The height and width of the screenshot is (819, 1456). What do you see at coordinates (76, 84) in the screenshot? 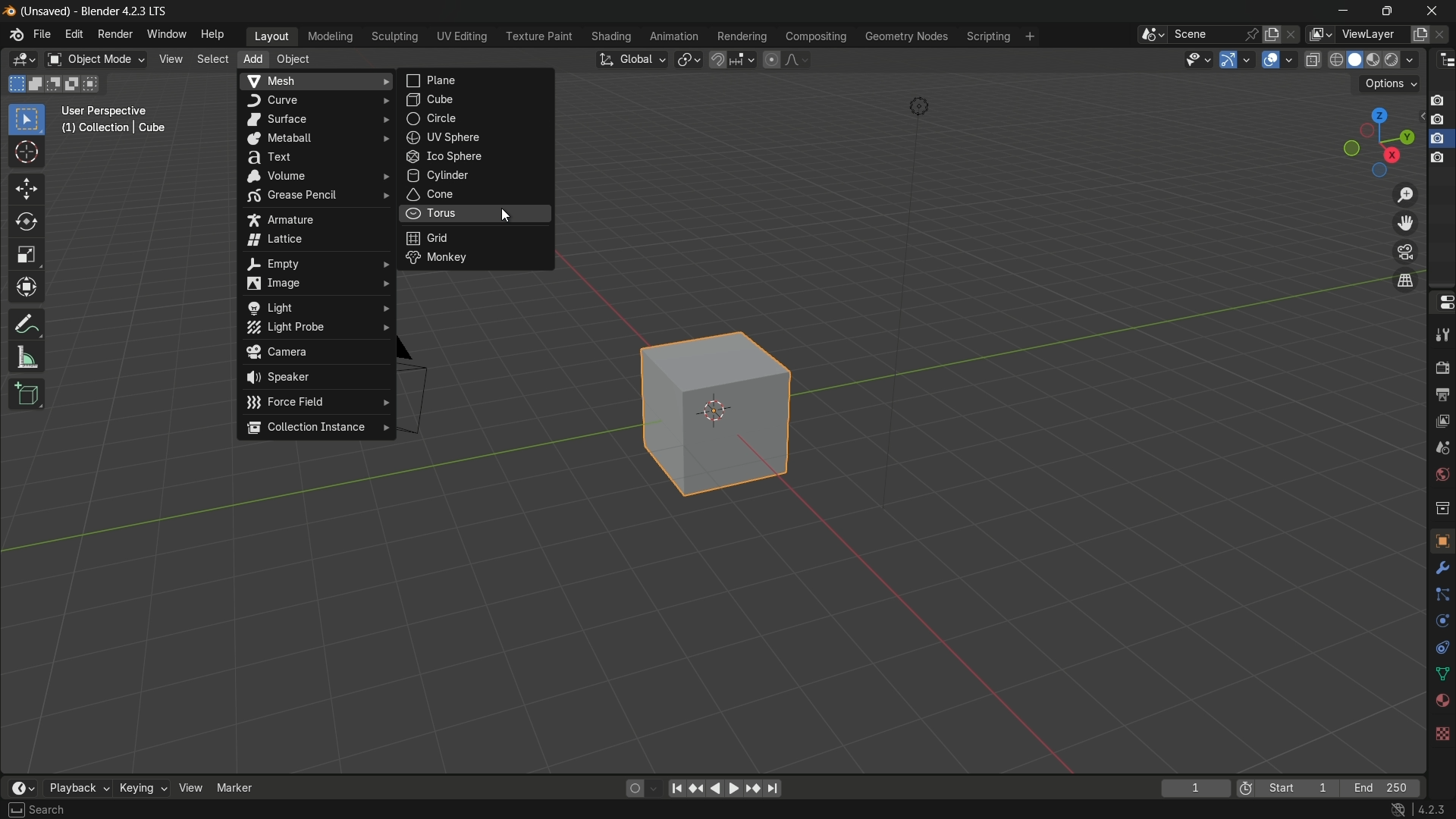
I see `invert existing selection` at bounding box center [76, 84].